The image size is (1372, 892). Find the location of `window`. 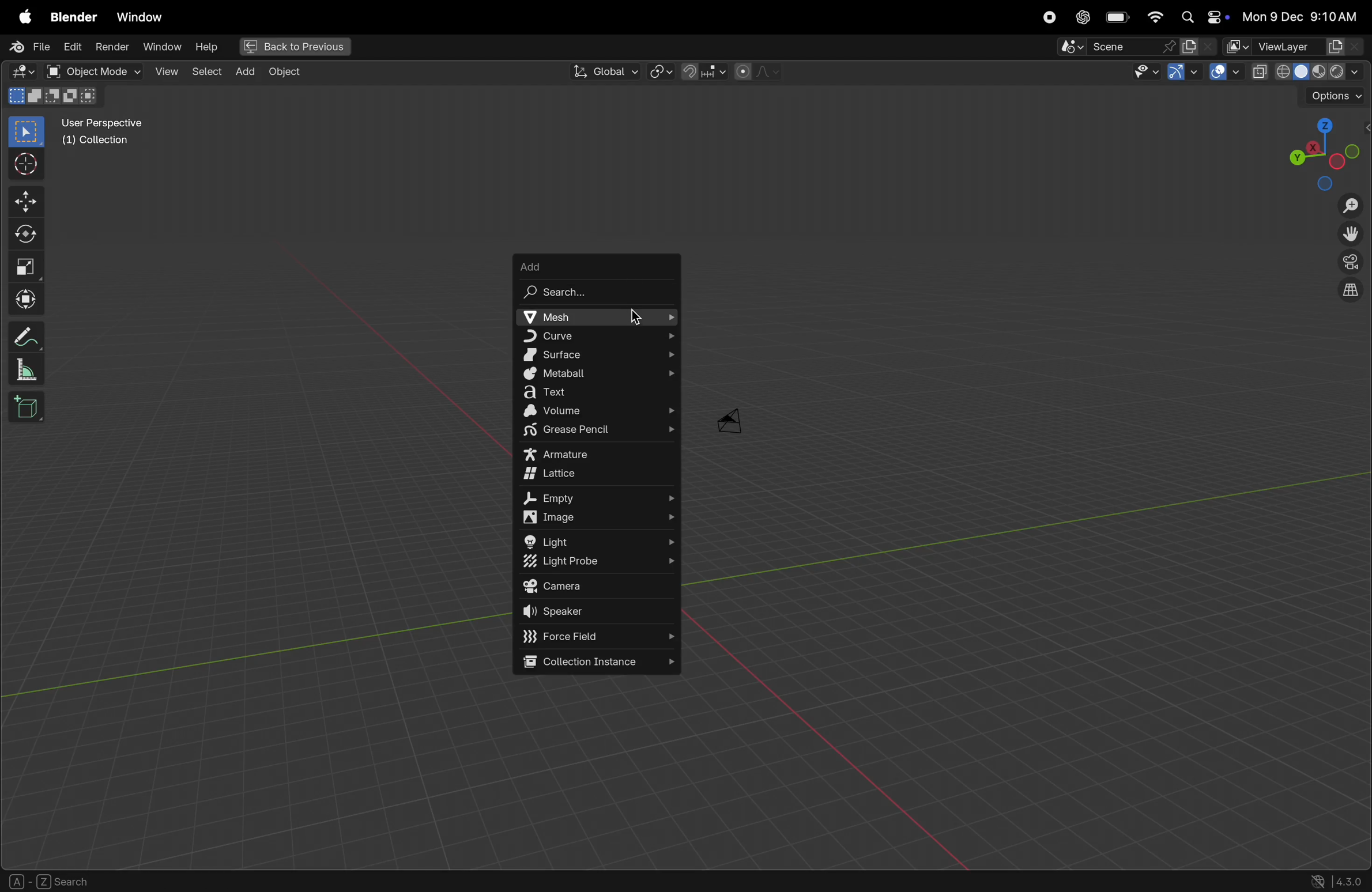

window is located at coordinates (161, 47).